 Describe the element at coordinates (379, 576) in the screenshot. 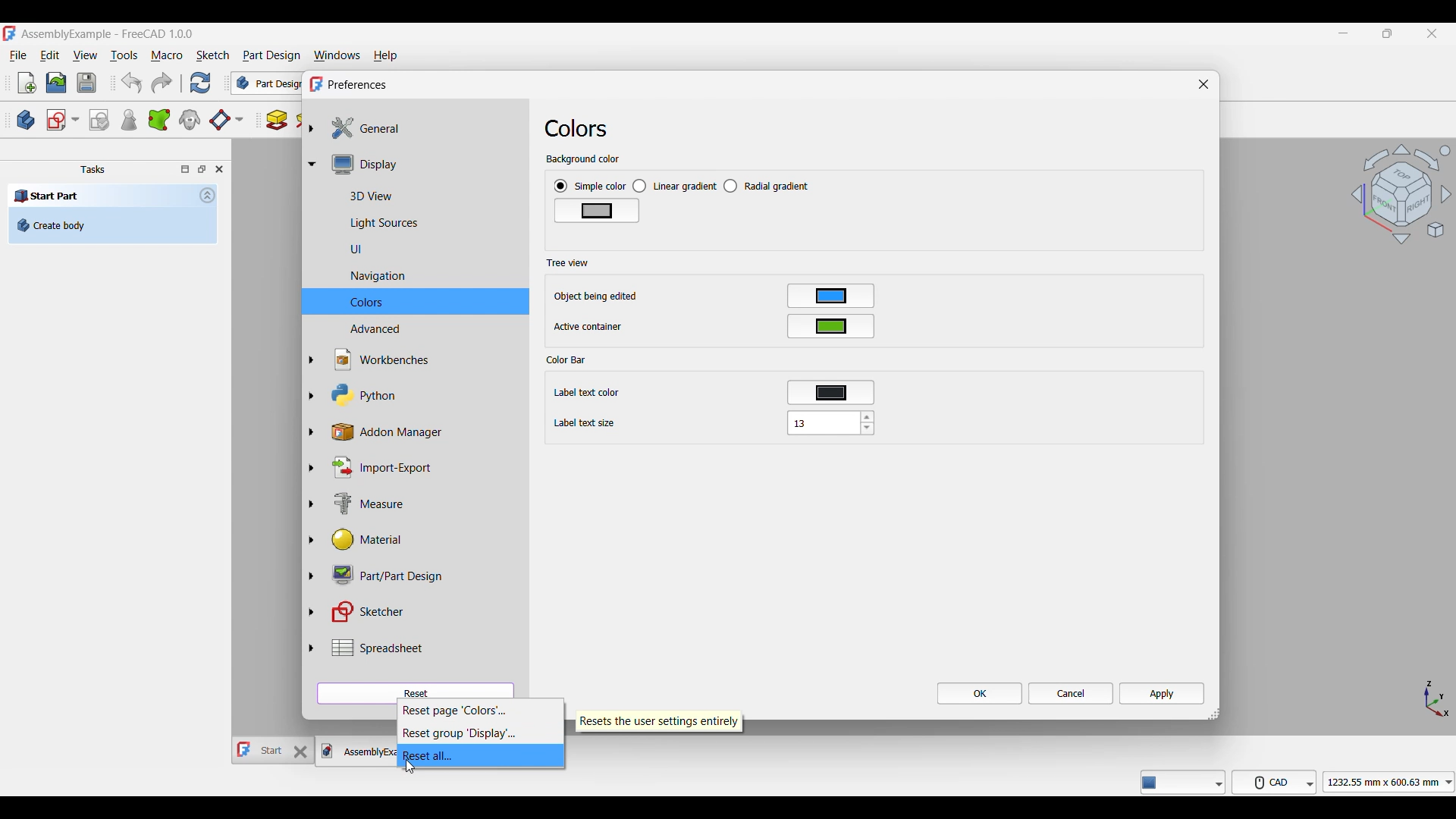

I see `Part/Part design` at that location.